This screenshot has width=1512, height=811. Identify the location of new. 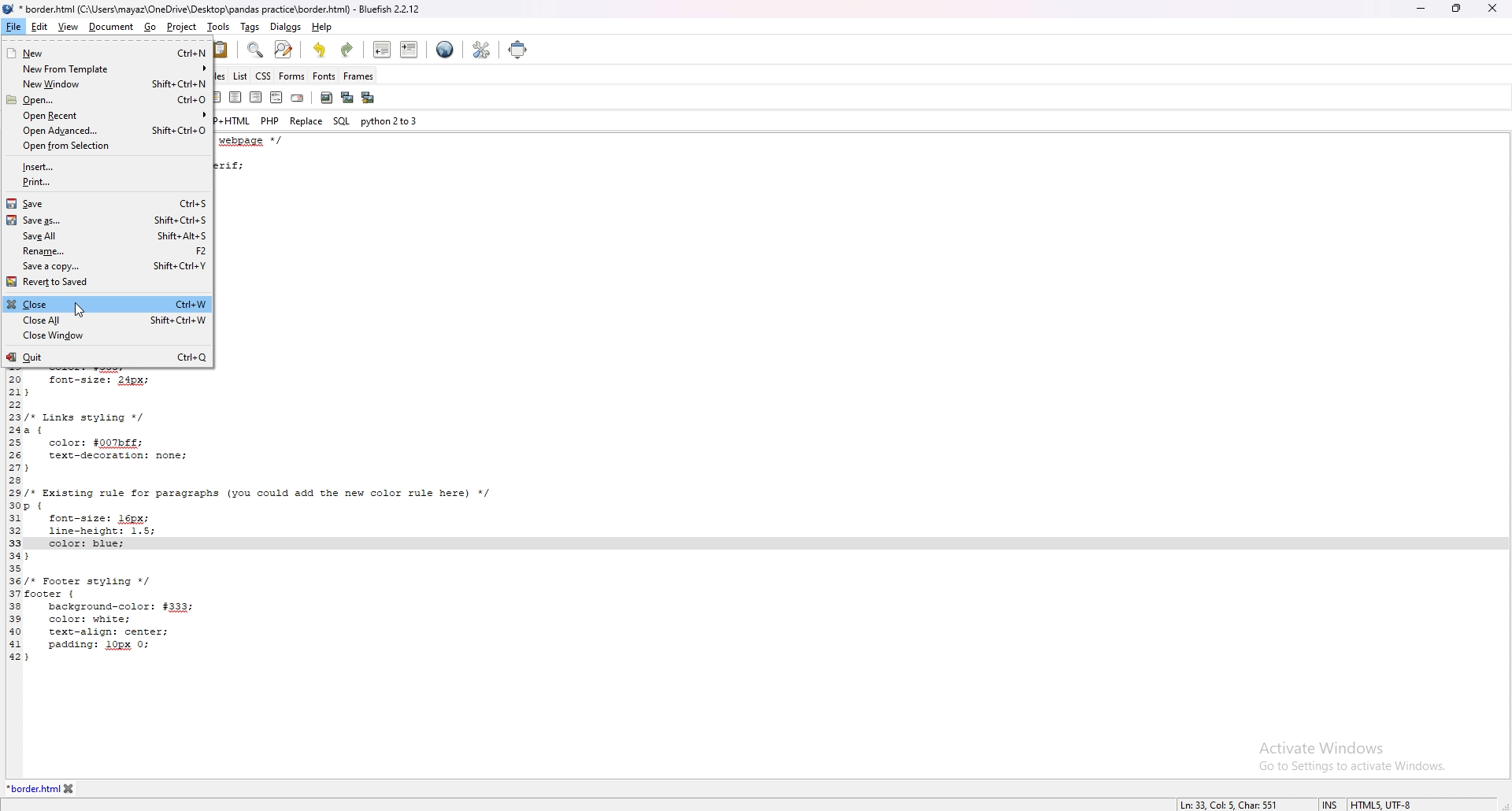
(107, 53).